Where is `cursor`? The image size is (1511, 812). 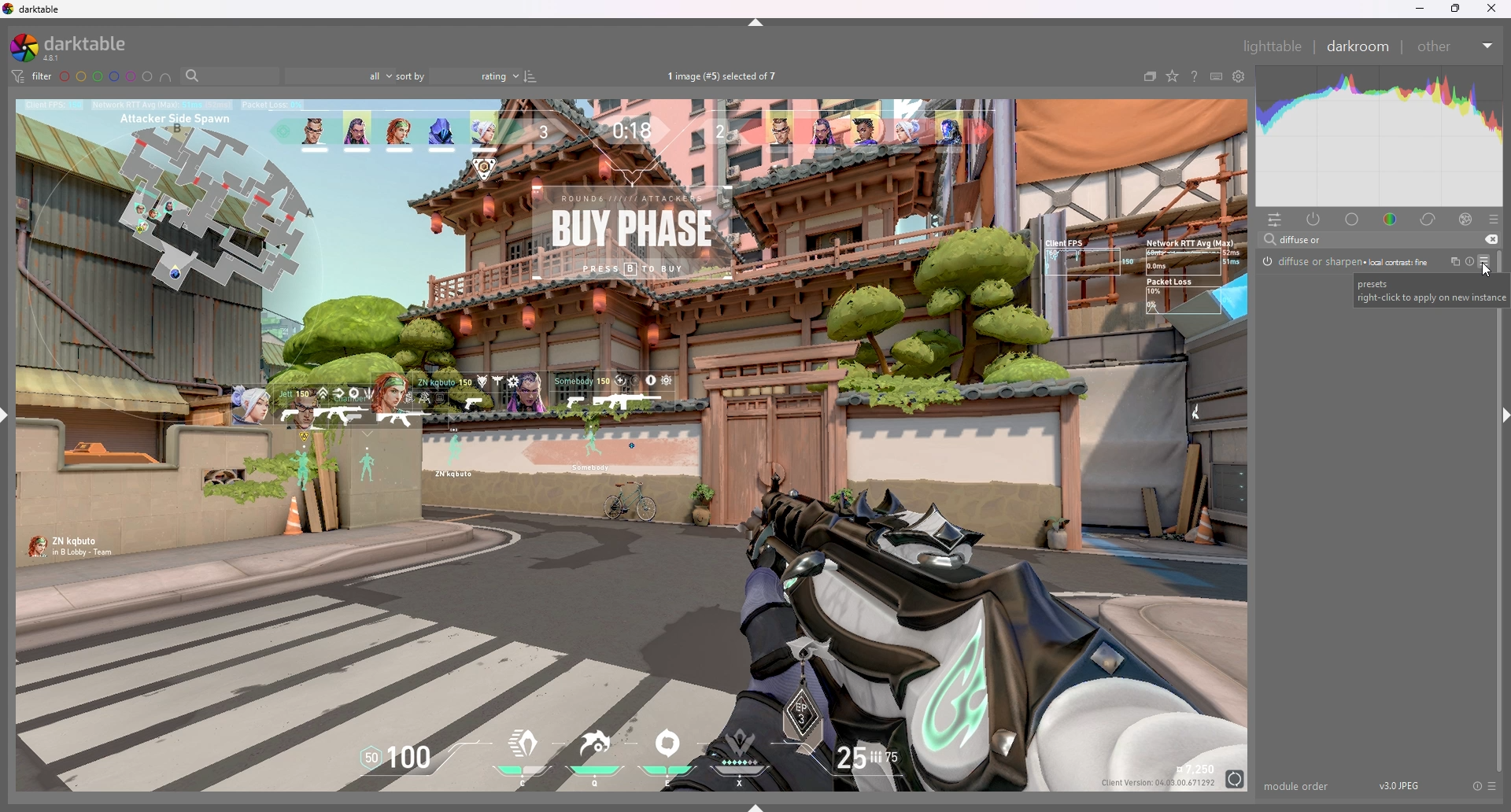 cursor is located at coordinates (1486, 268).